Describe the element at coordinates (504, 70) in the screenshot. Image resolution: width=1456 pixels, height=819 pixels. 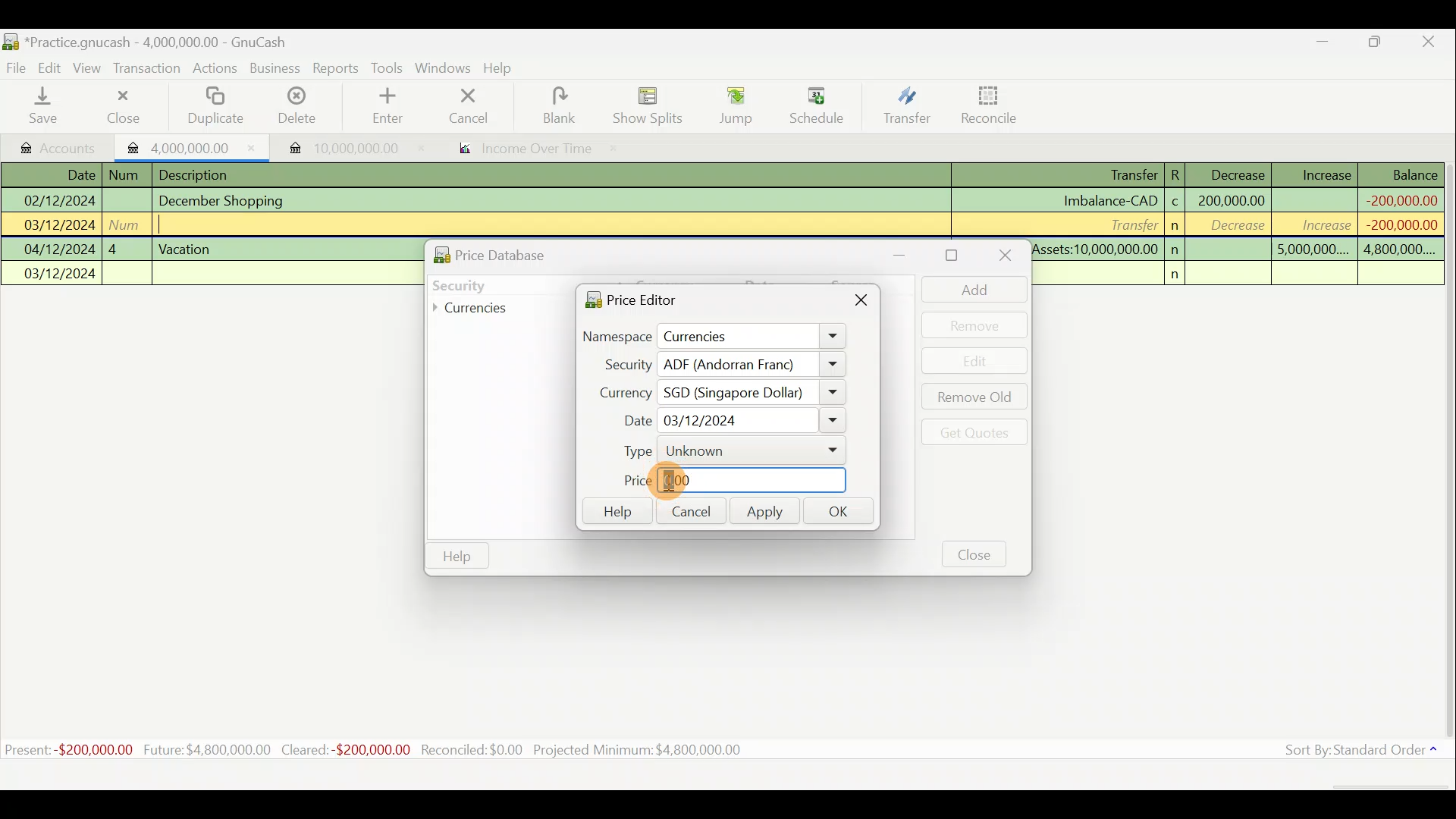
I see `Help` at that location.